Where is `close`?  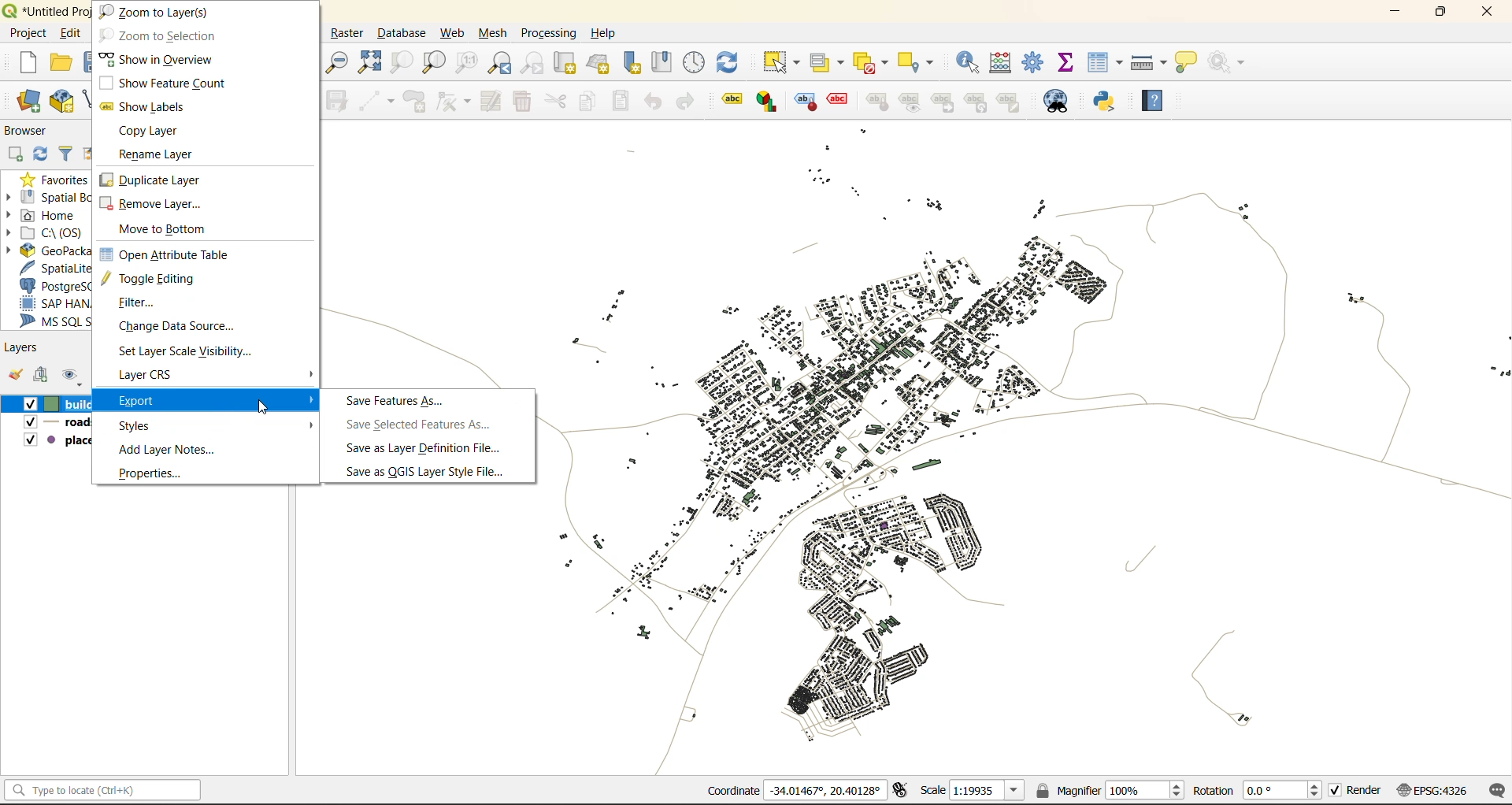 close is located at coordinates (1487, 13).